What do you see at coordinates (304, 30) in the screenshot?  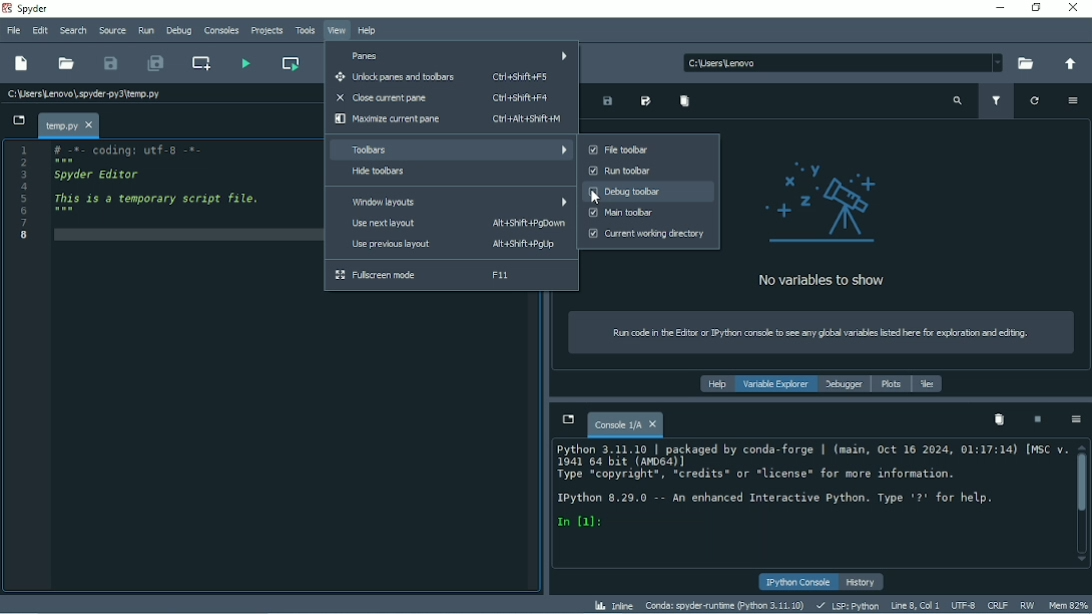 I see `Tools` at bounding box center [304, 30].